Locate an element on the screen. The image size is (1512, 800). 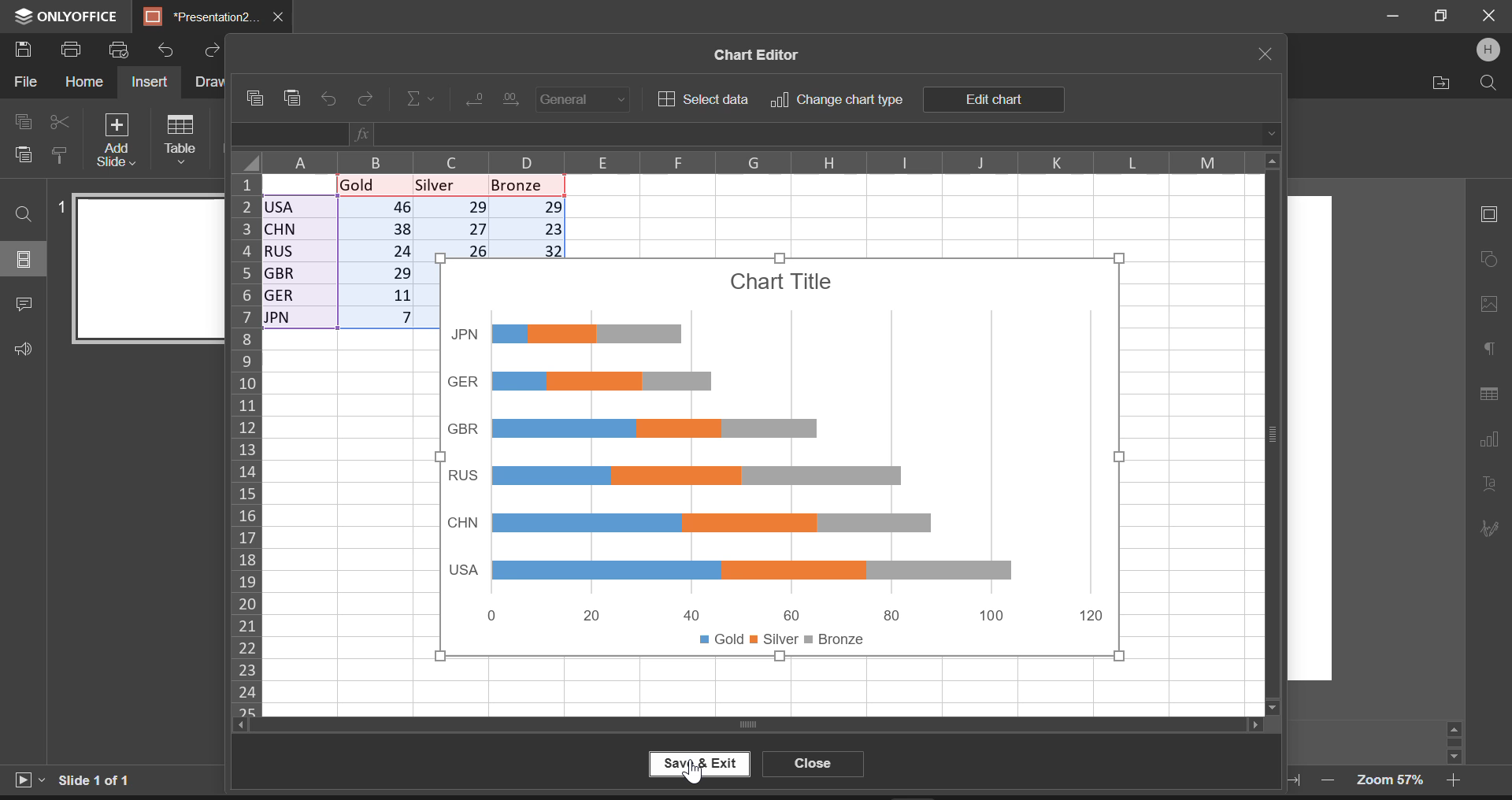
Cursor on Save & Exit is located at coordinates (695, 772).